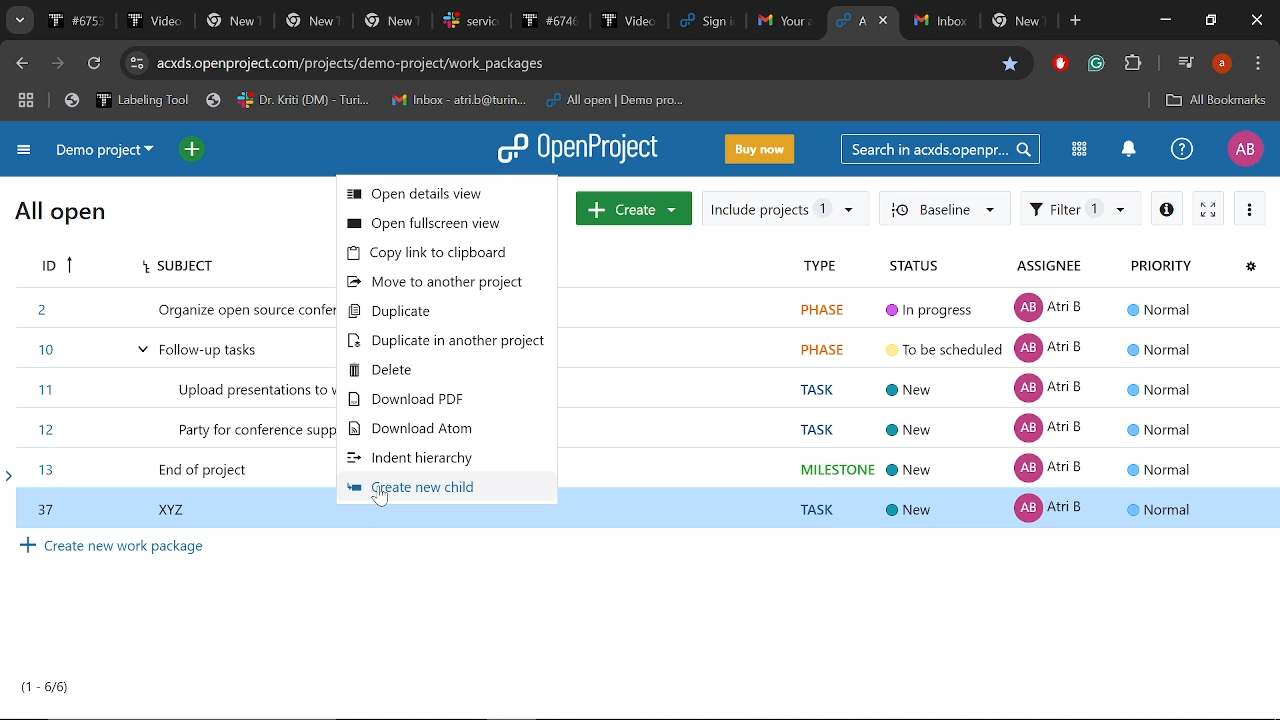 Image resolution: width=1280 pixels, height=720 pixels. I want to click on Activate zen mode, so click(1209, 207).